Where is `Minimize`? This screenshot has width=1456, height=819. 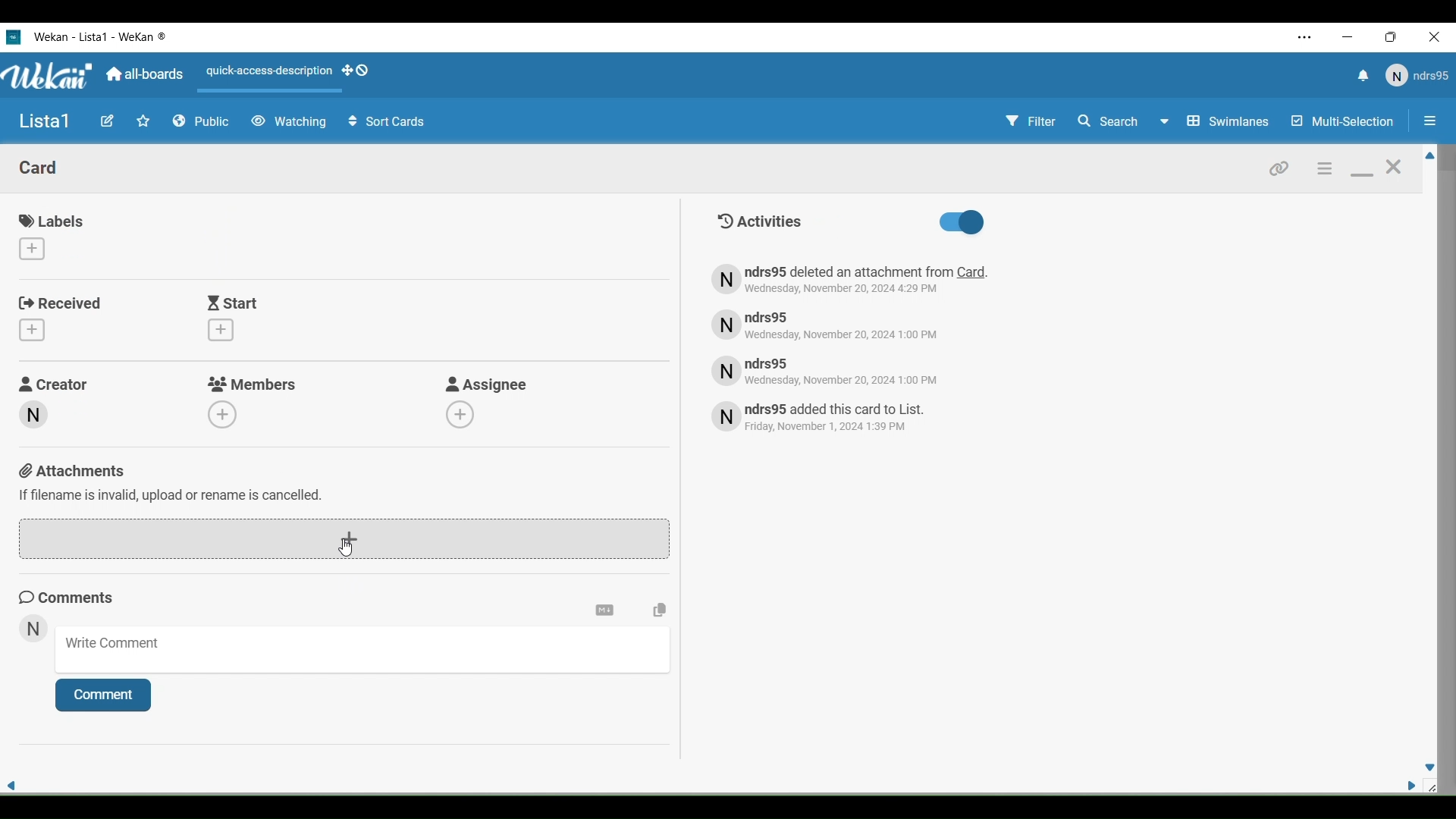
Minimize is located at coordinates (1362, 175).